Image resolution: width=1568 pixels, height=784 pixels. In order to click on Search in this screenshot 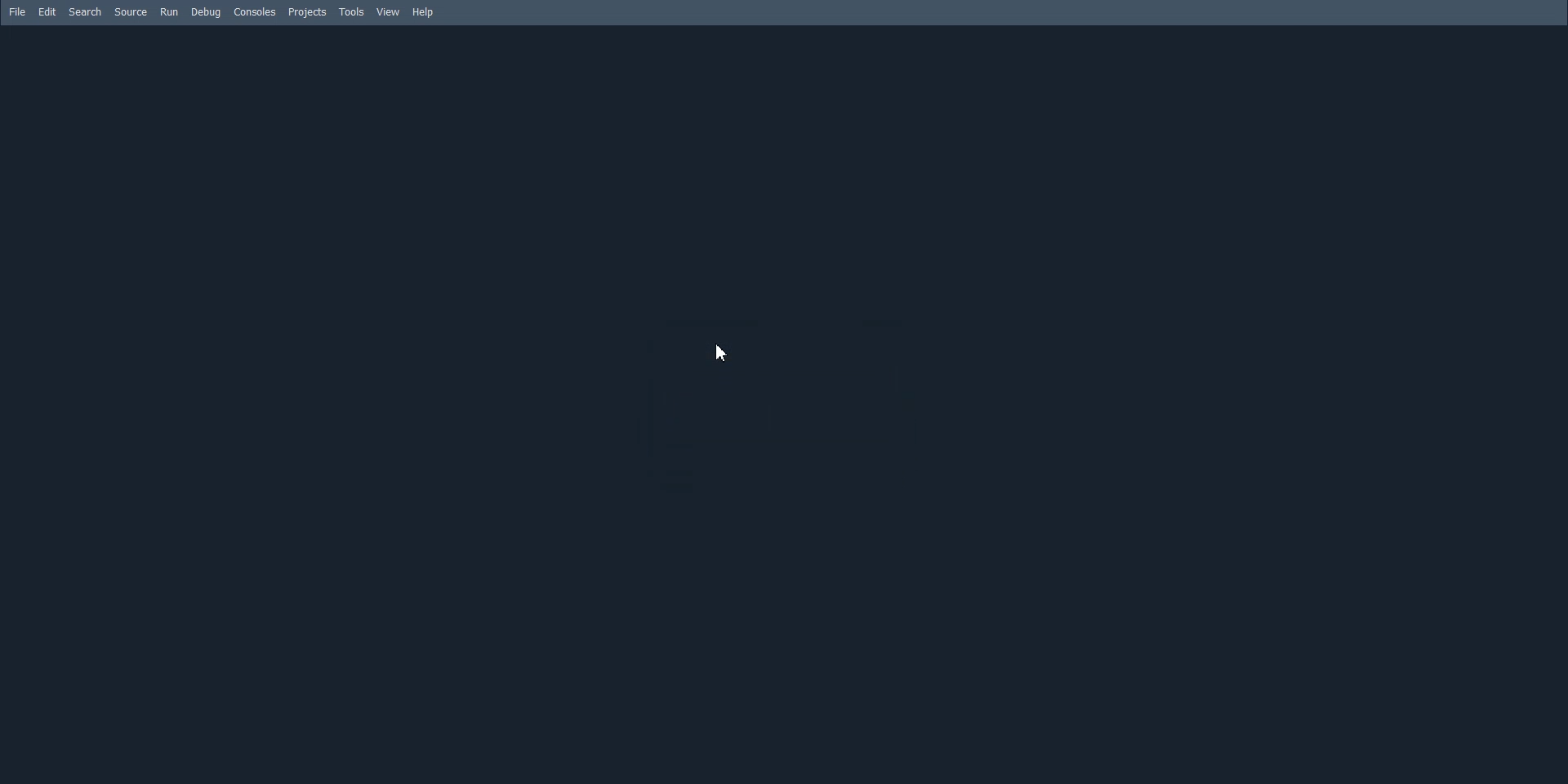, I will do `click(84, 11)`.